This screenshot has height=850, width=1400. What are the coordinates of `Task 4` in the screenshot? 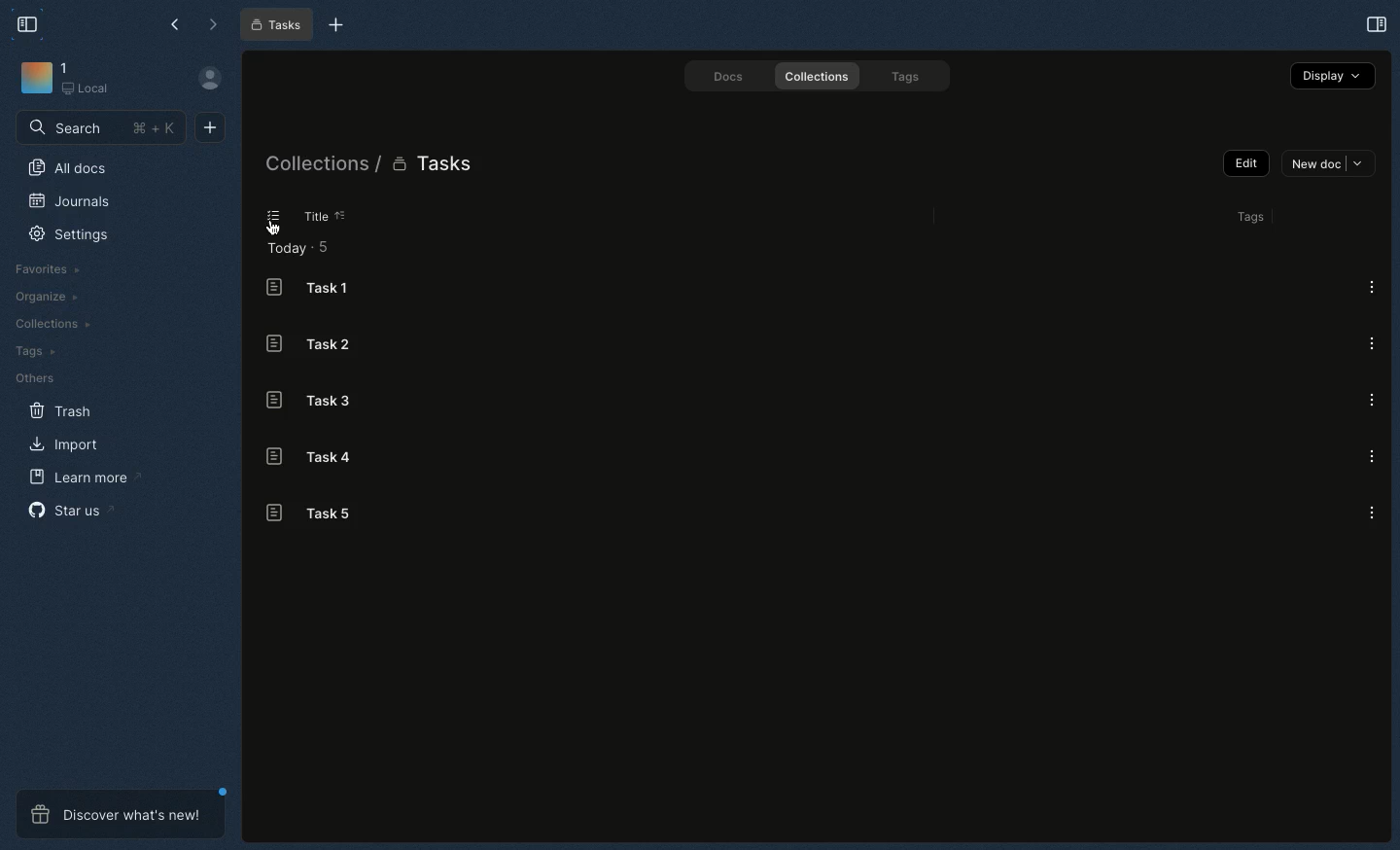 It's located at (312, 457).